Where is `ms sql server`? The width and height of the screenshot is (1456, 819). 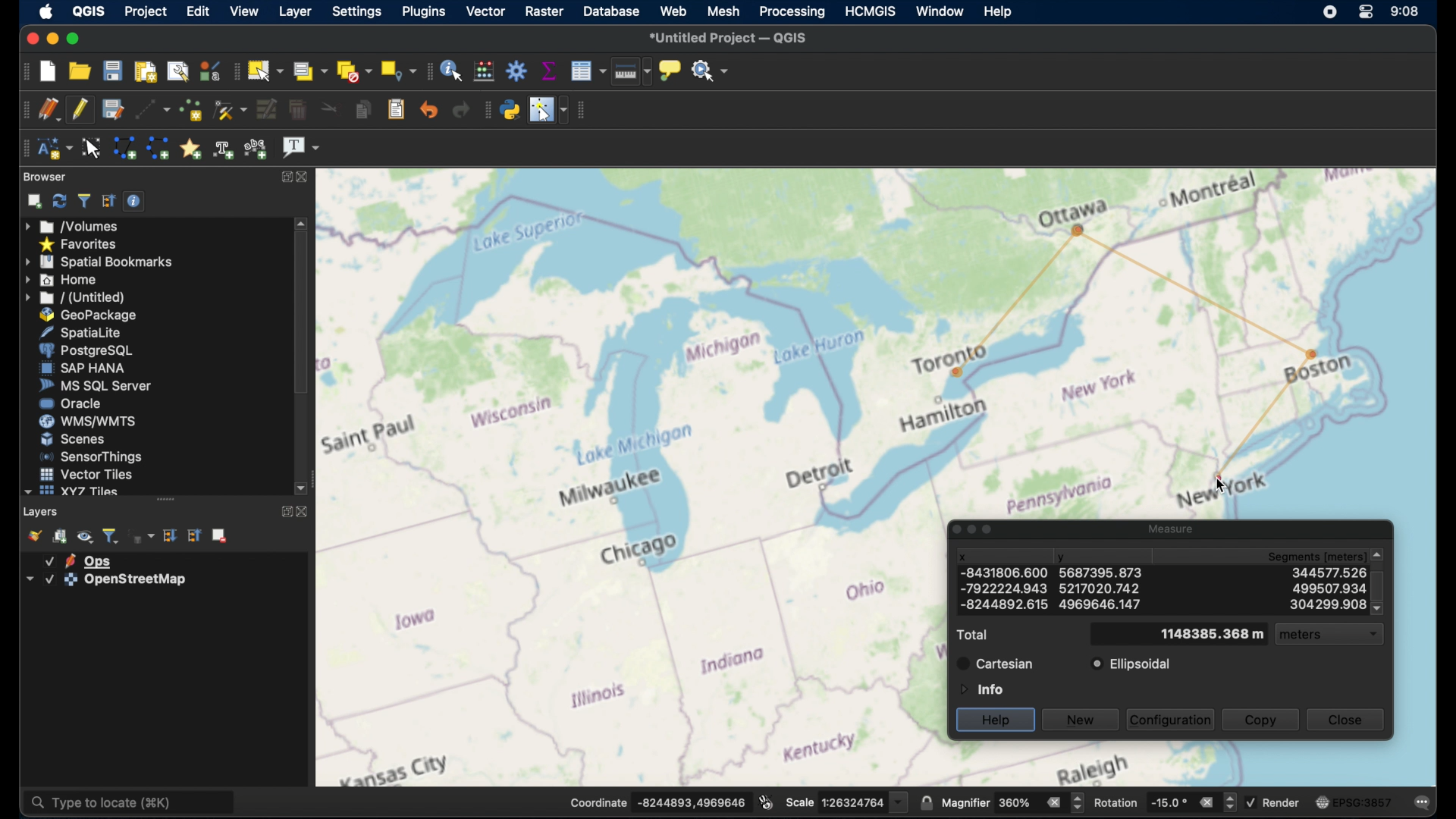 ms sql server is located at coordinates (95, 387).